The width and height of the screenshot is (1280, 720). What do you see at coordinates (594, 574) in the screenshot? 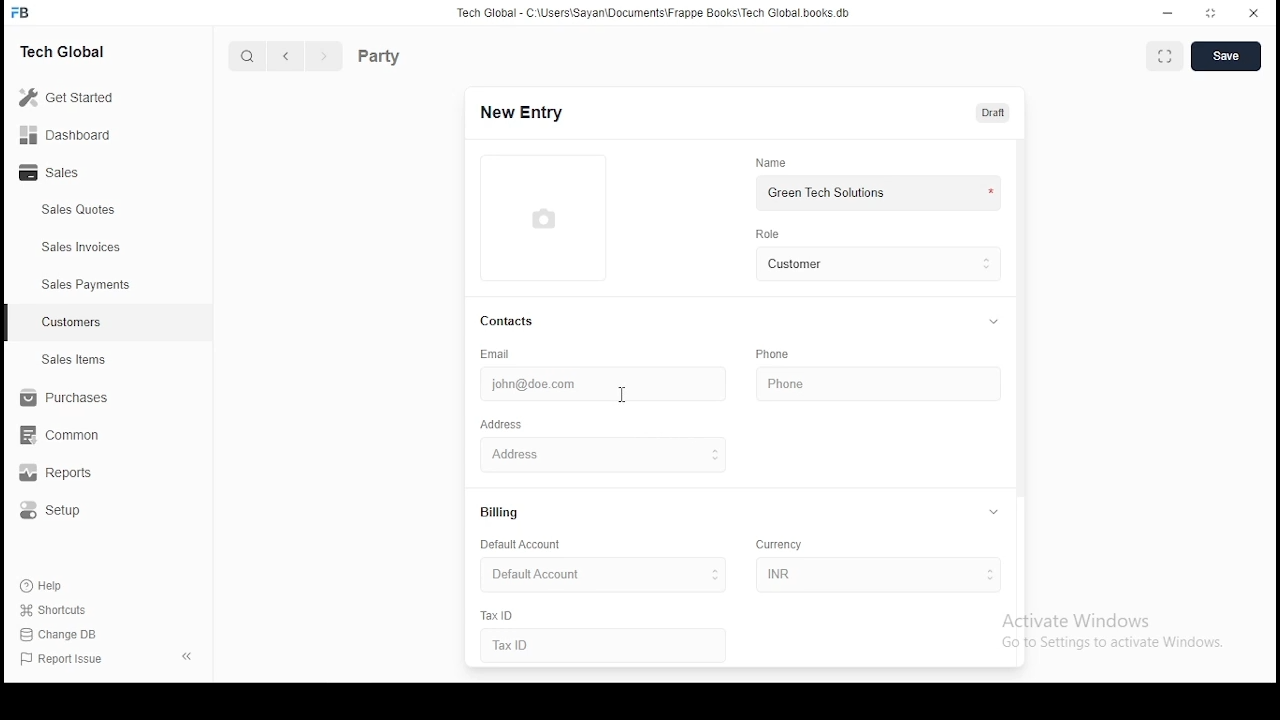
I see `default account` at bounding box center [594, 574].